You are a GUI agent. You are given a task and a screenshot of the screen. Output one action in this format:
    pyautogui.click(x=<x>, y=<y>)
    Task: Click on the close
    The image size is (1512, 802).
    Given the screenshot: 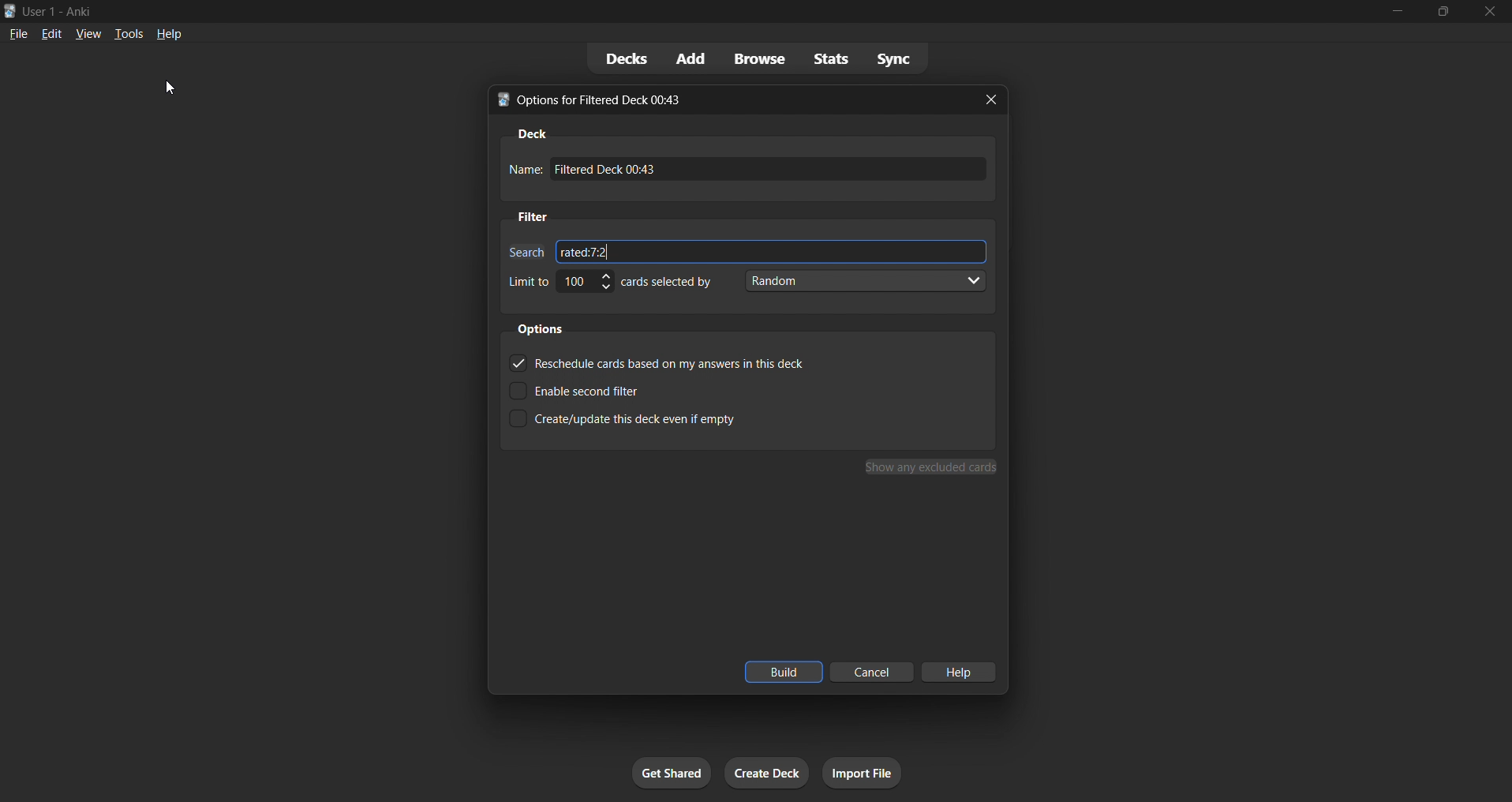 What is the action you would take?
    pyautogui.click(x=1489, y=12)
    